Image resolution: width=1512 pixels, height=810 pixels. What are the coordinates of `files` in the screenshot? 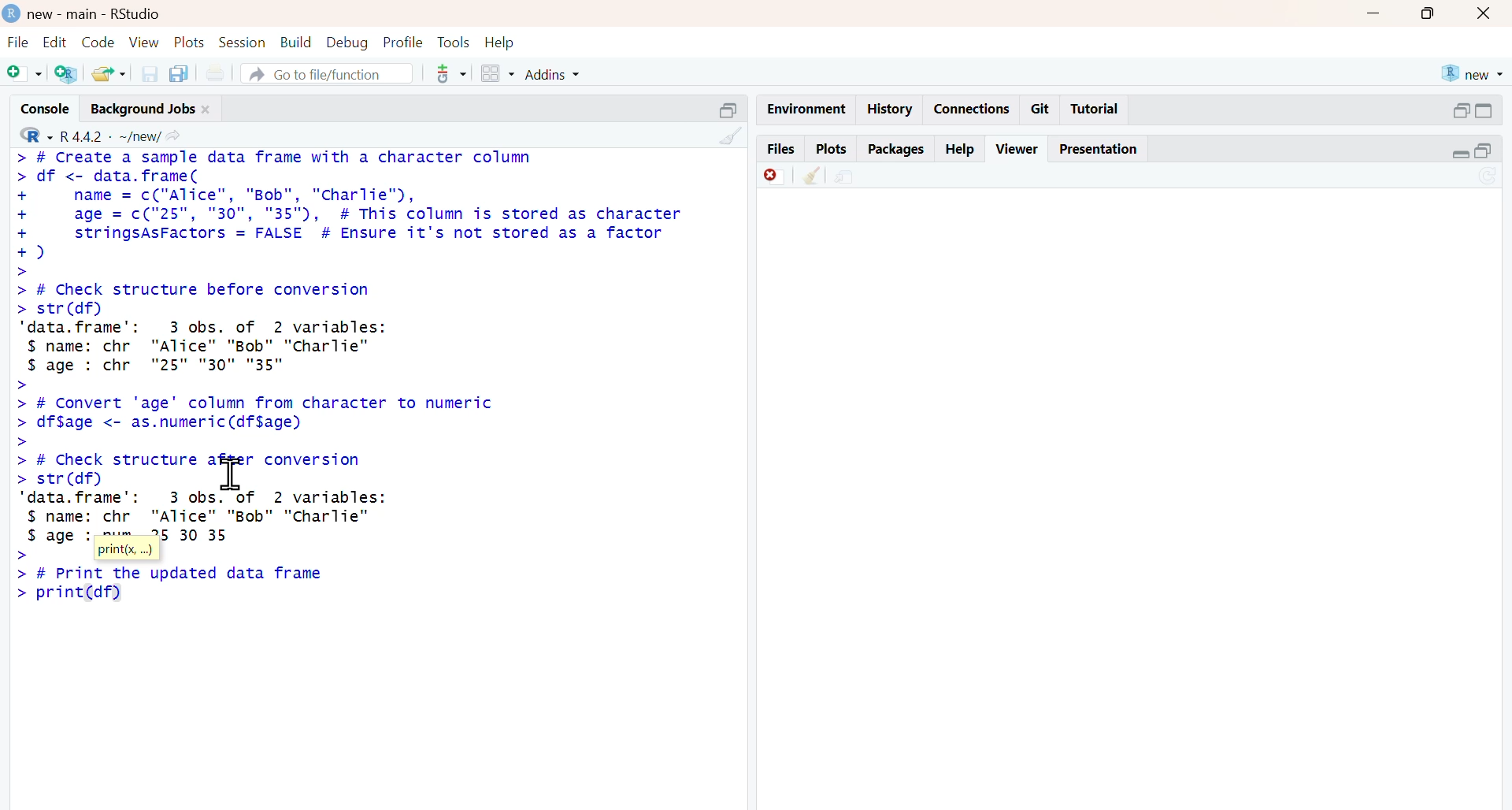 It's located at (782, 150).